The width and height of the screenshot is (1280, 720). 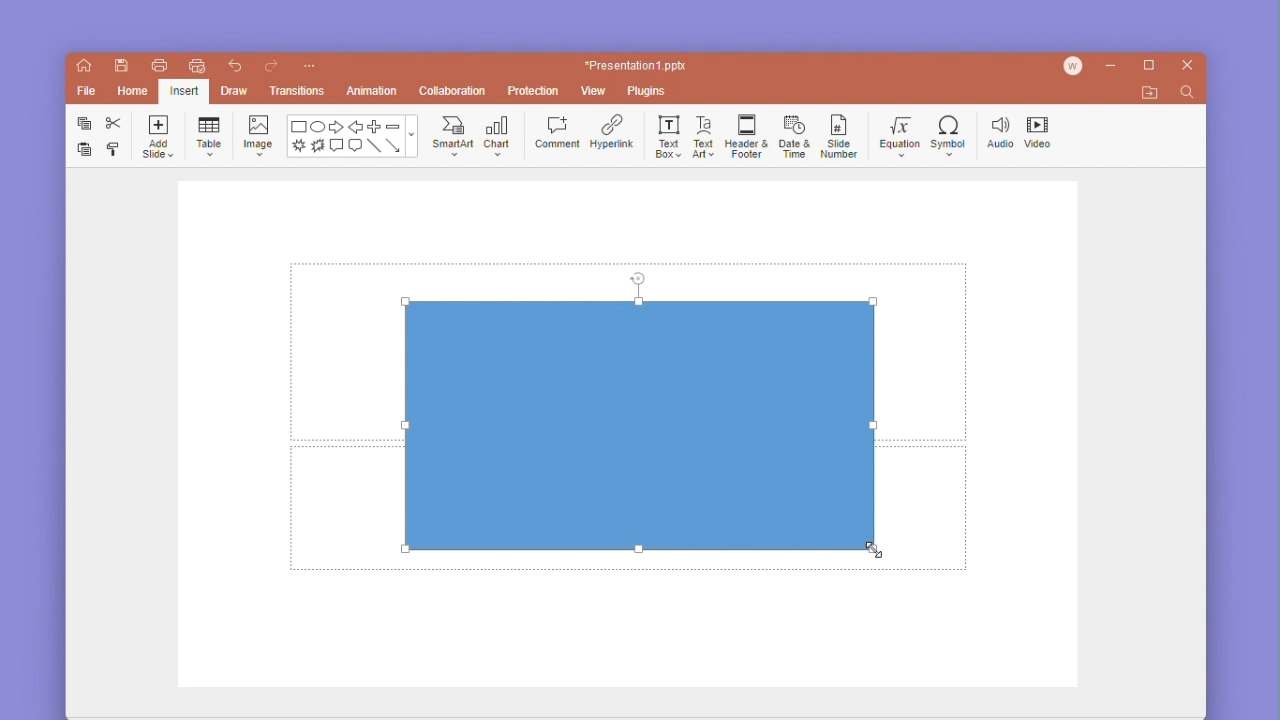 What do you see at coordinates (318, 147) in the screenshot?
I see `burn shape` at bounding box center [318, 147].